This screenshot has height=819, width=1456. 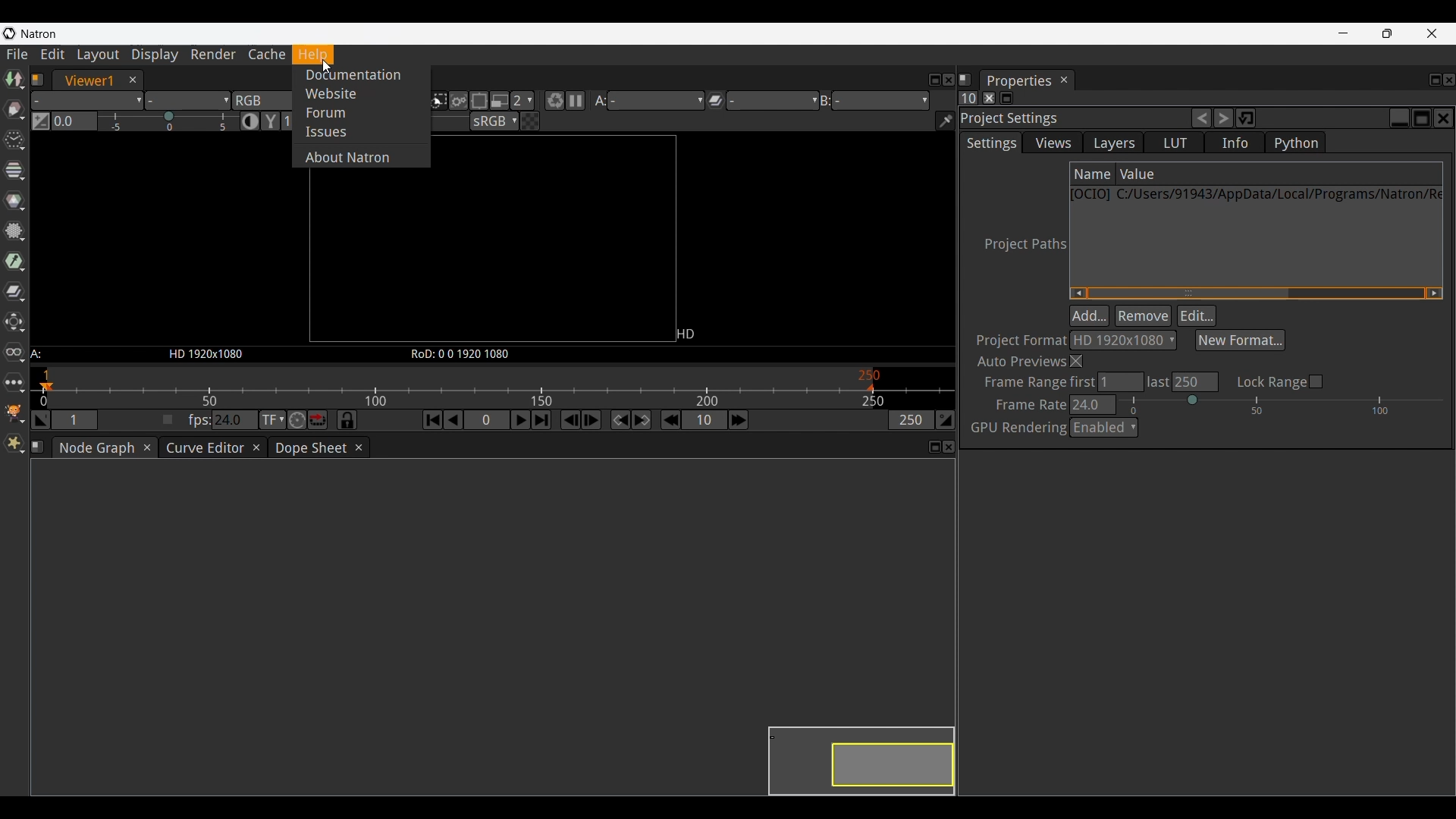 I want to click on GPU rendering, so click(x=1019, y=427).